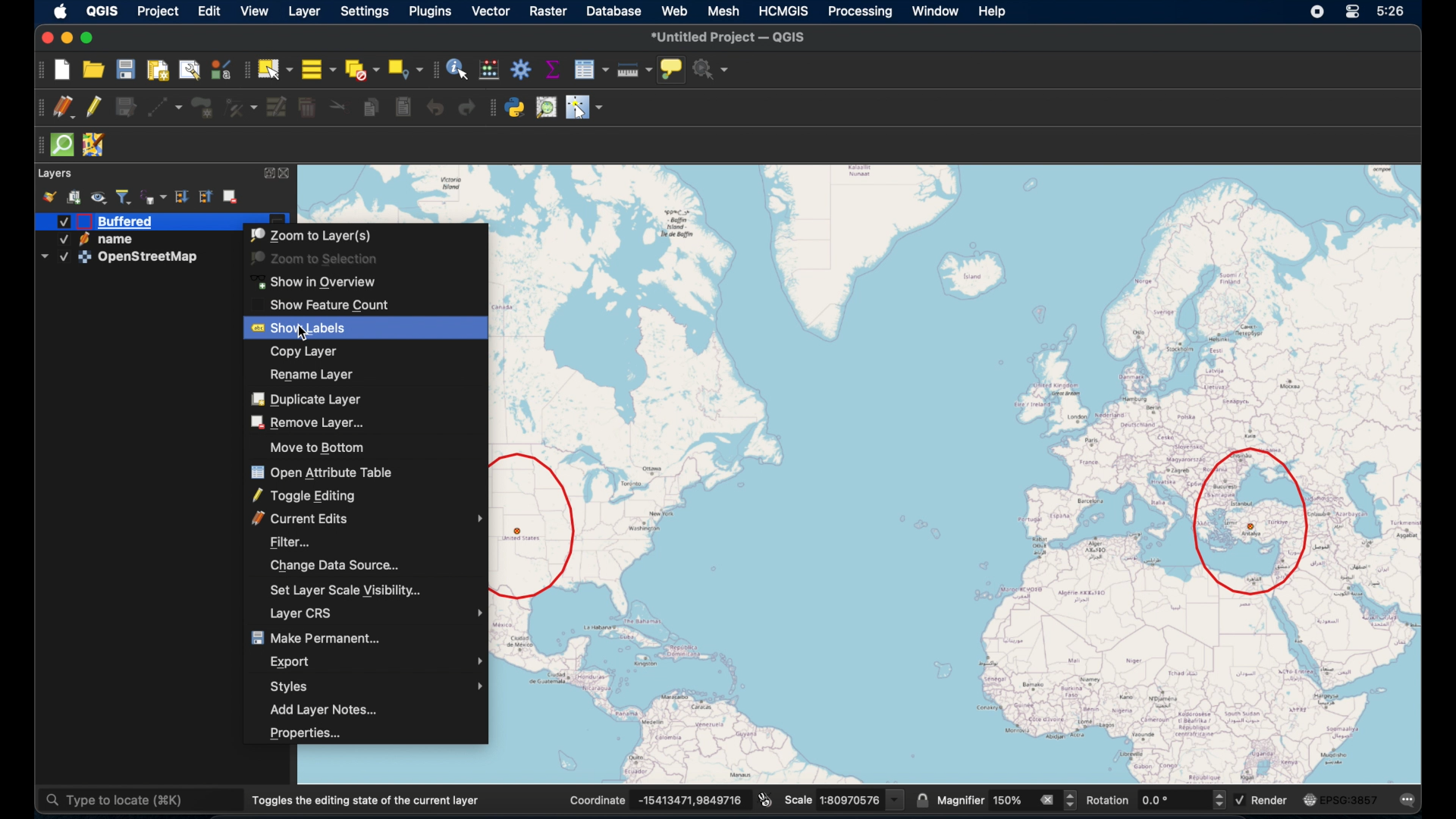 This screenshot has height=819, width=1456. I want to click on active buffered layer, so click(110, 221).